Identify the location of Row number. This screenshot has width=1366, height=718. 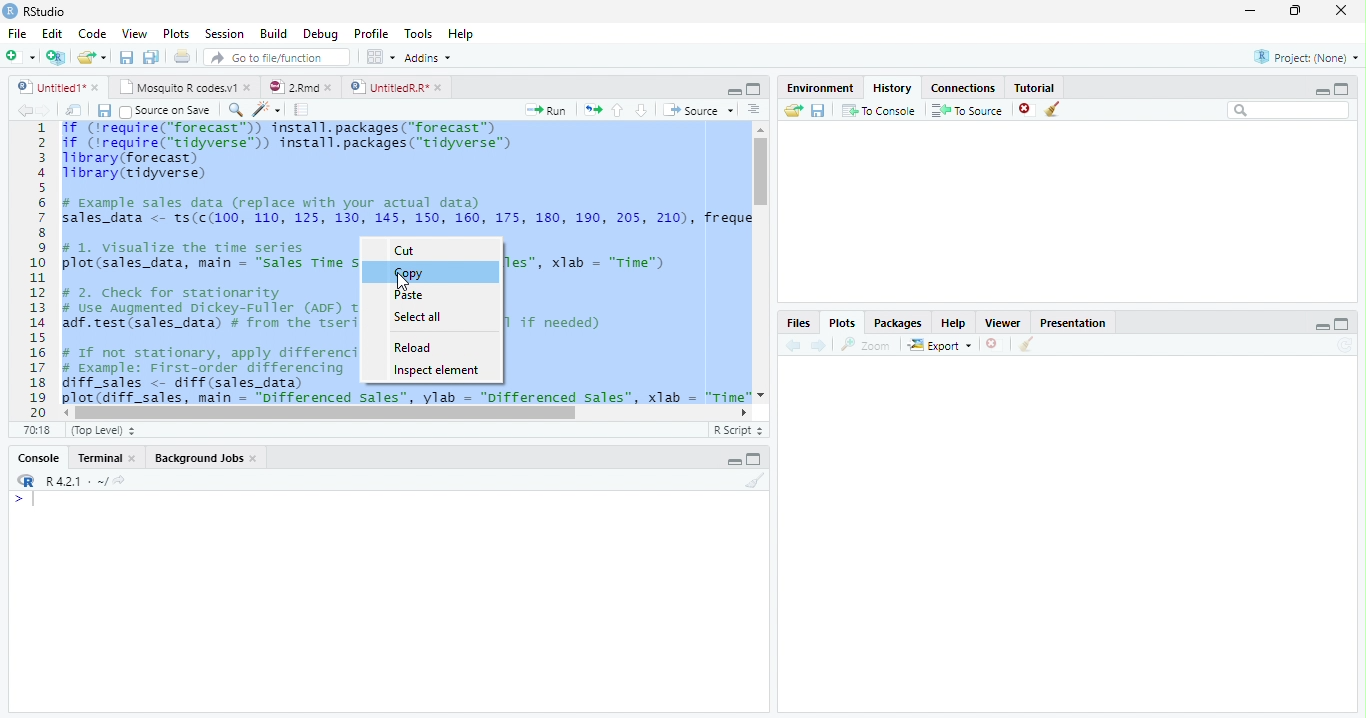
(32, 269).